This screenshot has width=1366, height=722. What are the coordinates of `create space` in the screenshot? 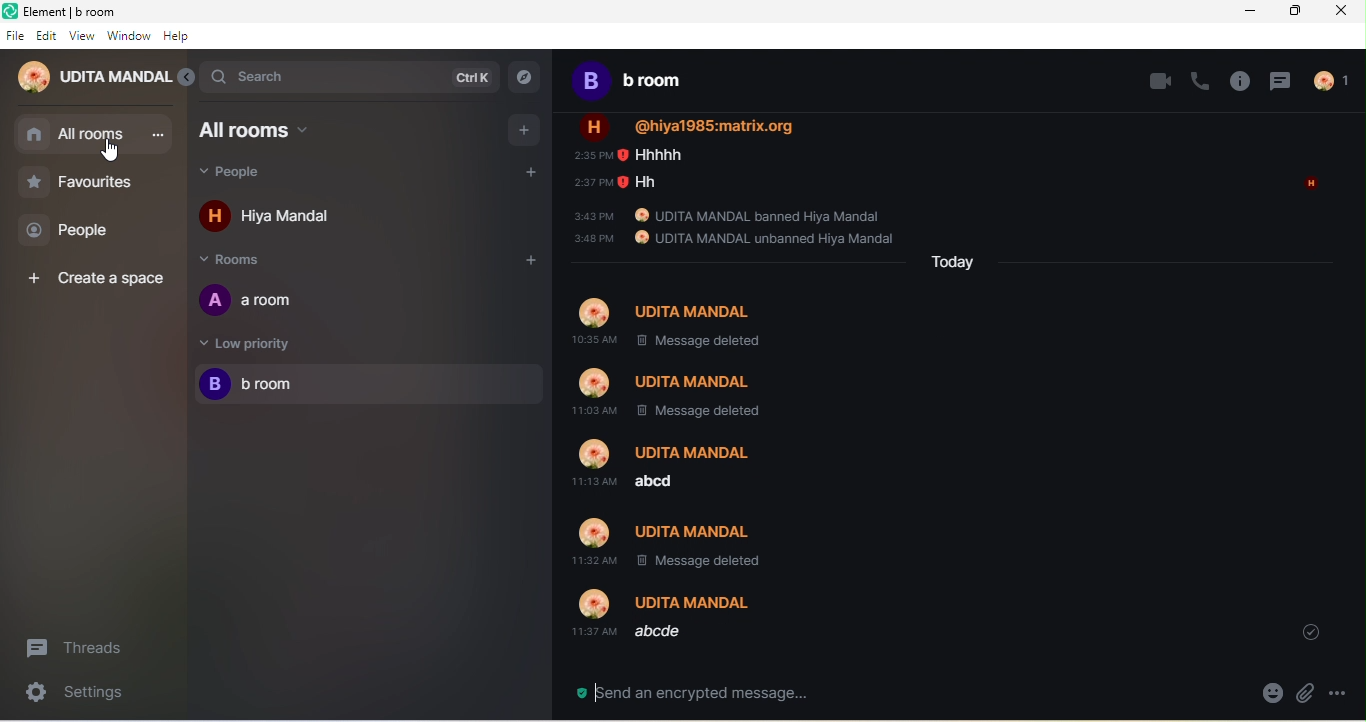 It's located at (94, 276).